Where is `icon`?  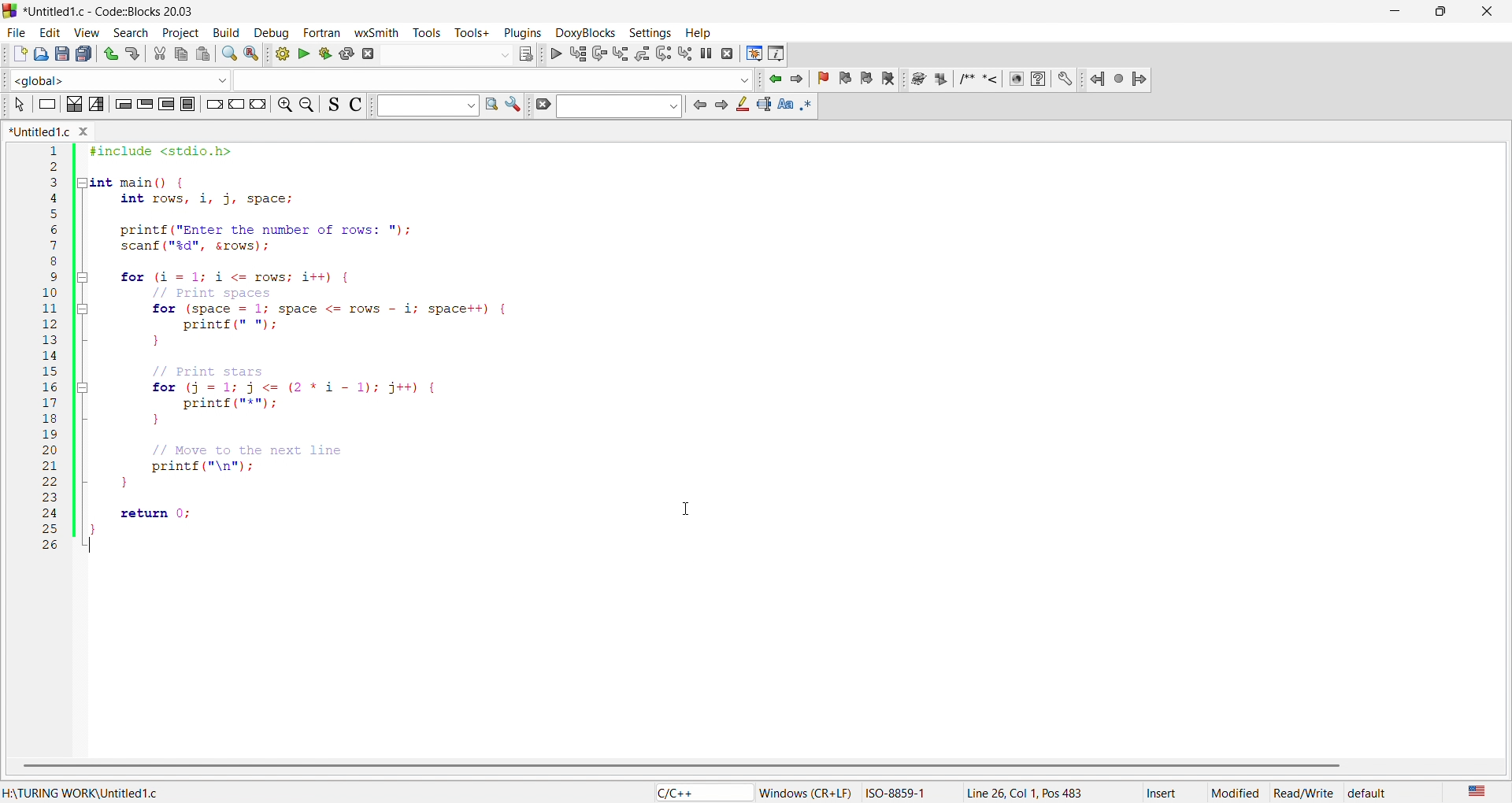 icon is located at coordinates (188, 107).